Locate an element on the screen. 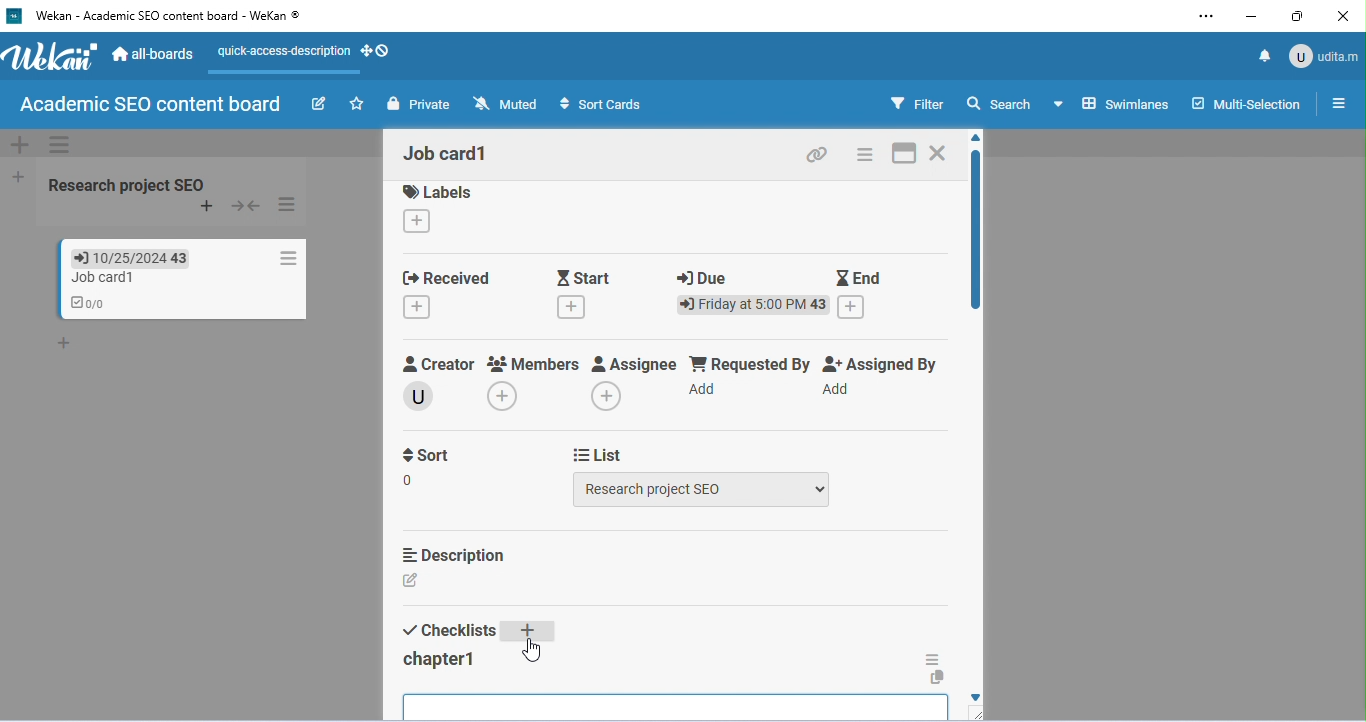 The height and width of the screenshot is (722, 1366). checklist added is located at coordinates (441, 661).